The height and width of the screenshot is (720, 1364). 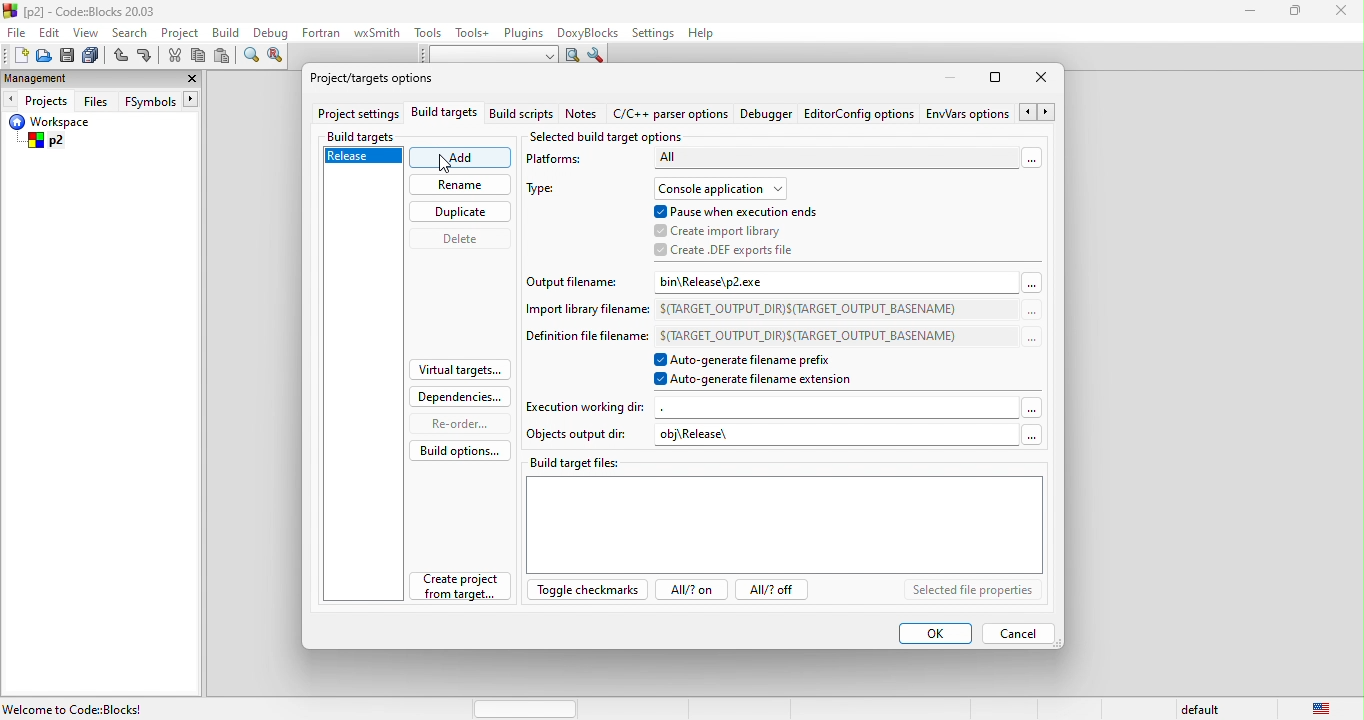 I want to click on undo, so click(x=120, y=57).